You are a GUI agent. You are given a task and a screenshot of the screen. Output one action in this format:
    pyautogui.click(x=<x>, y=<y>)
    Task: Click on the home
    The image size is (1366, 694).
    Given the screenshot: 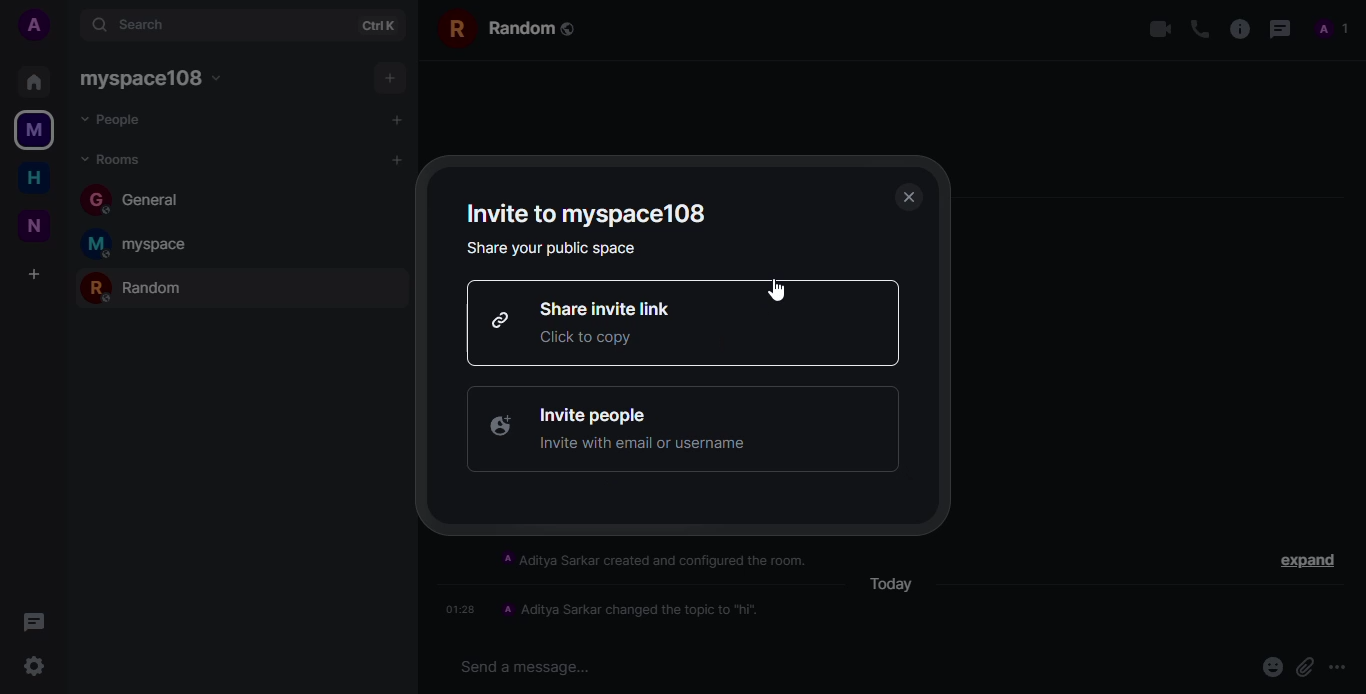 What is the action you would take?
    pyautogui.click(x=32, y=82)
    